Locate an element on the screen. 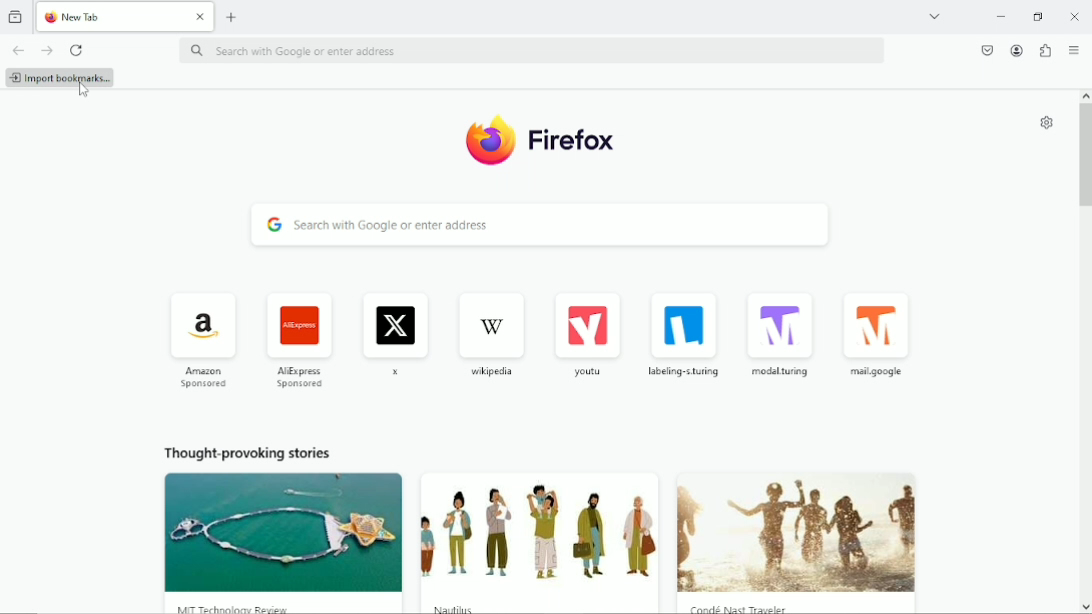 The width and height of the screenshot is (1092, 614). scroll up is located at coordinates (1085, 96).